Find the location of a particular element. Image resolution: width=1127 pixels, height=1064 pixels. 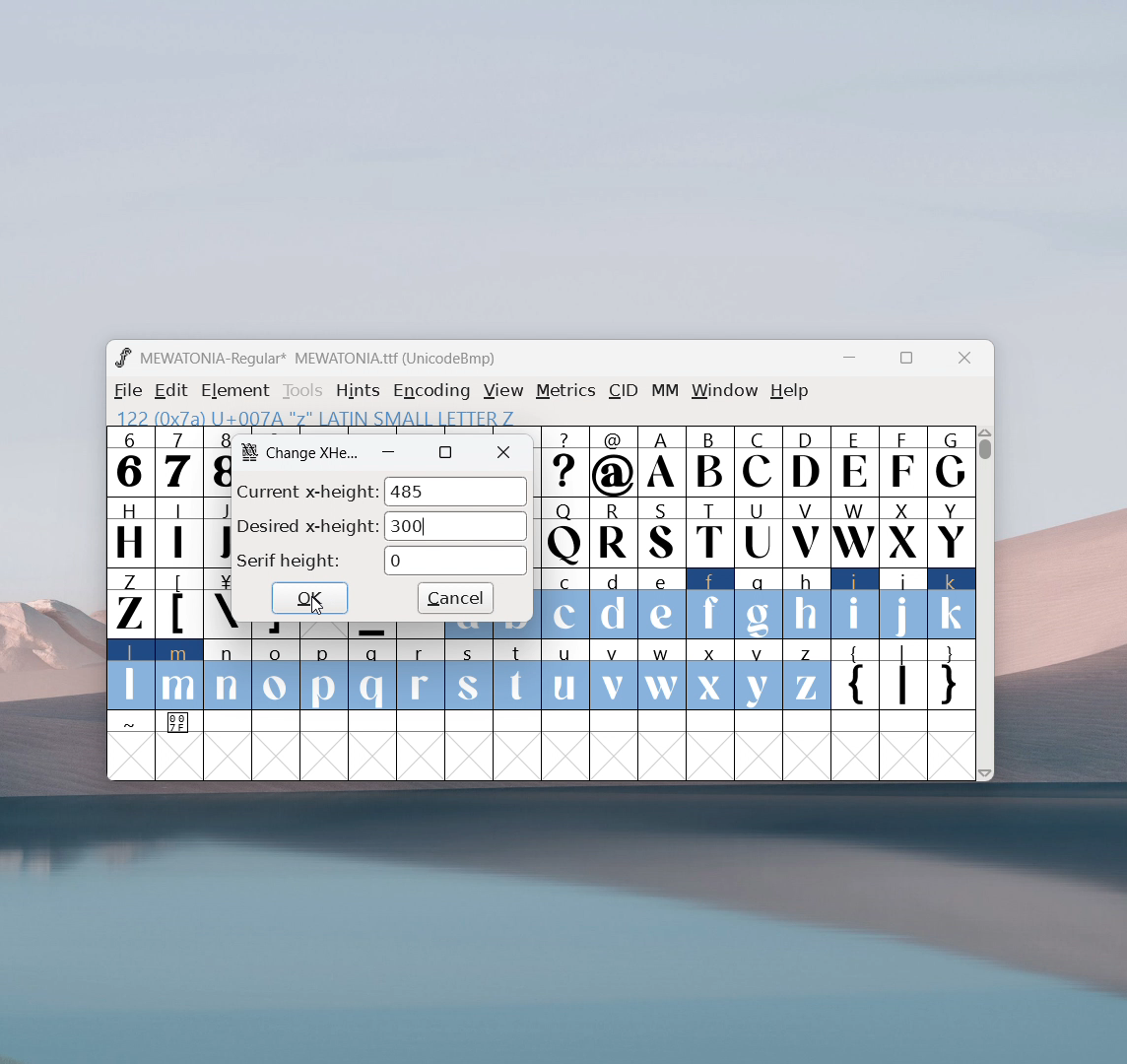

W is located at coordinates (853, 532).